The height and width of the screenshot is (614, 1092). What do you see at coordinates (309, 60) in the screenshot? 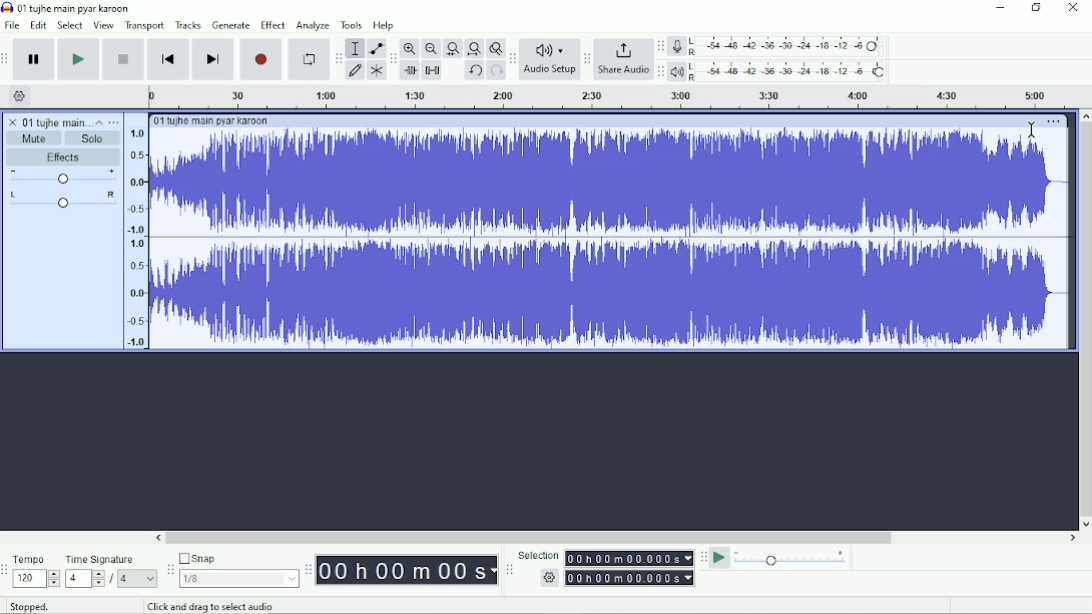
I see `Enable looping` at bounding box center [309, 60].